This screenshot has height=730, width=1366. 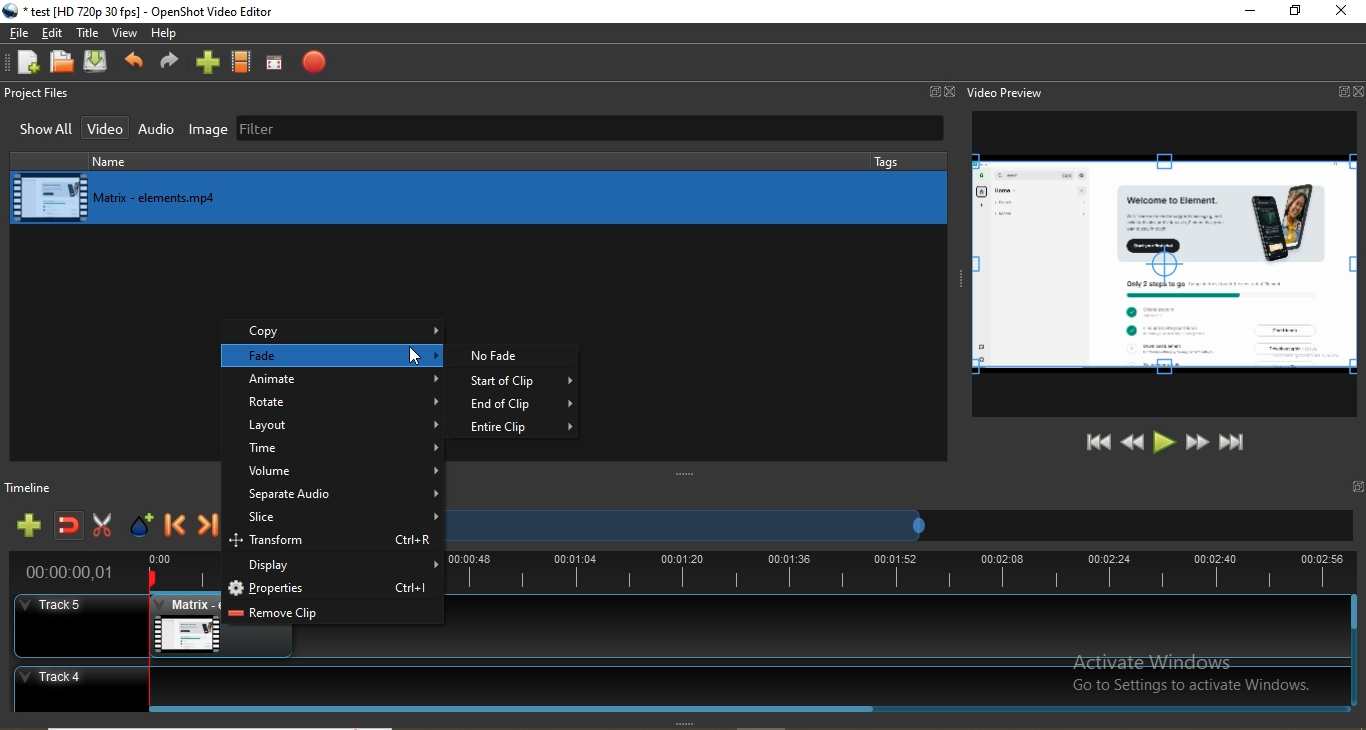 I want to click on media library, so click(x=479, y=196).